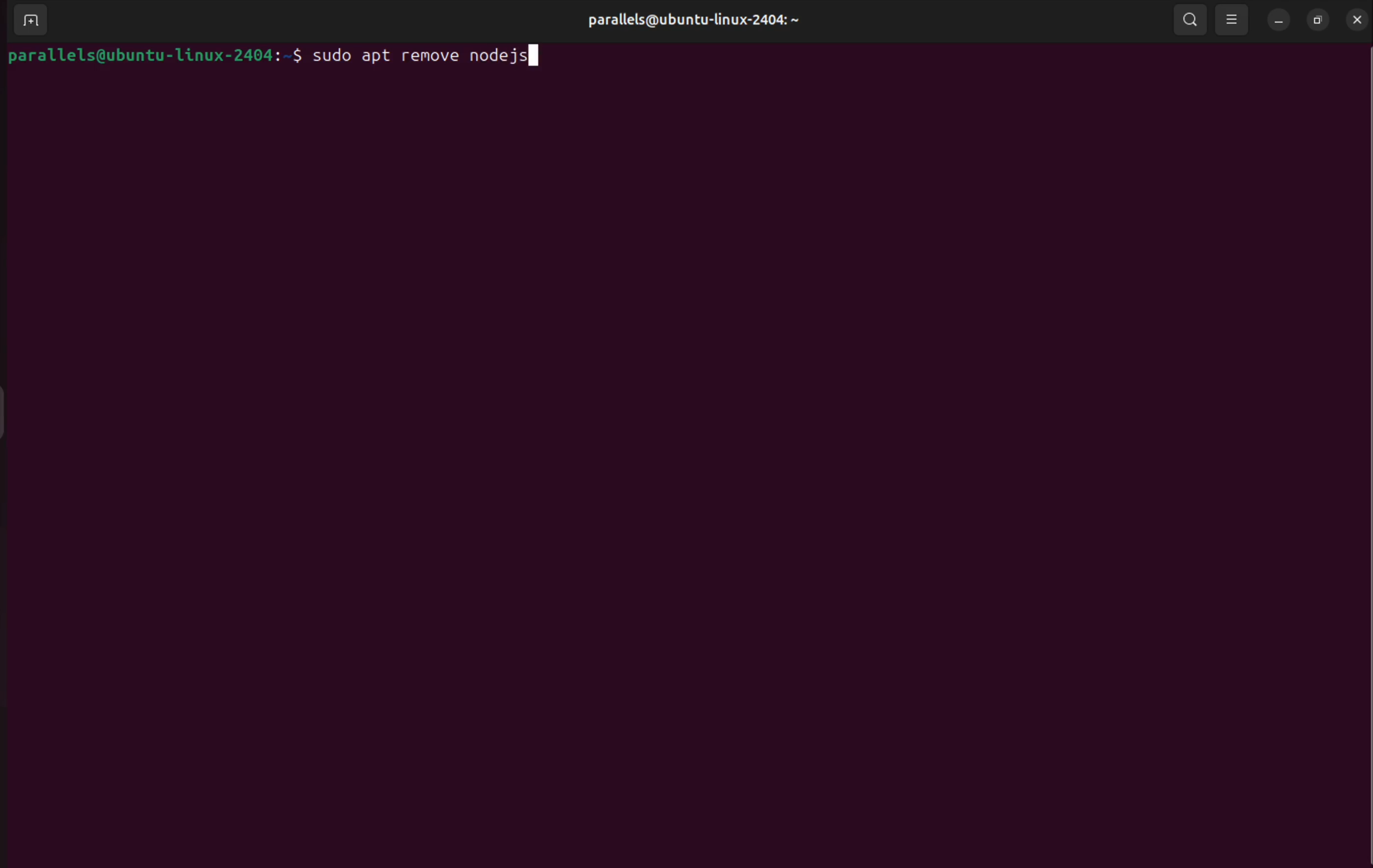 This screenshot has width=1373, height=868. Describe the element at coordinates (1355, 19) in the screenshot. I see `close` at that location.